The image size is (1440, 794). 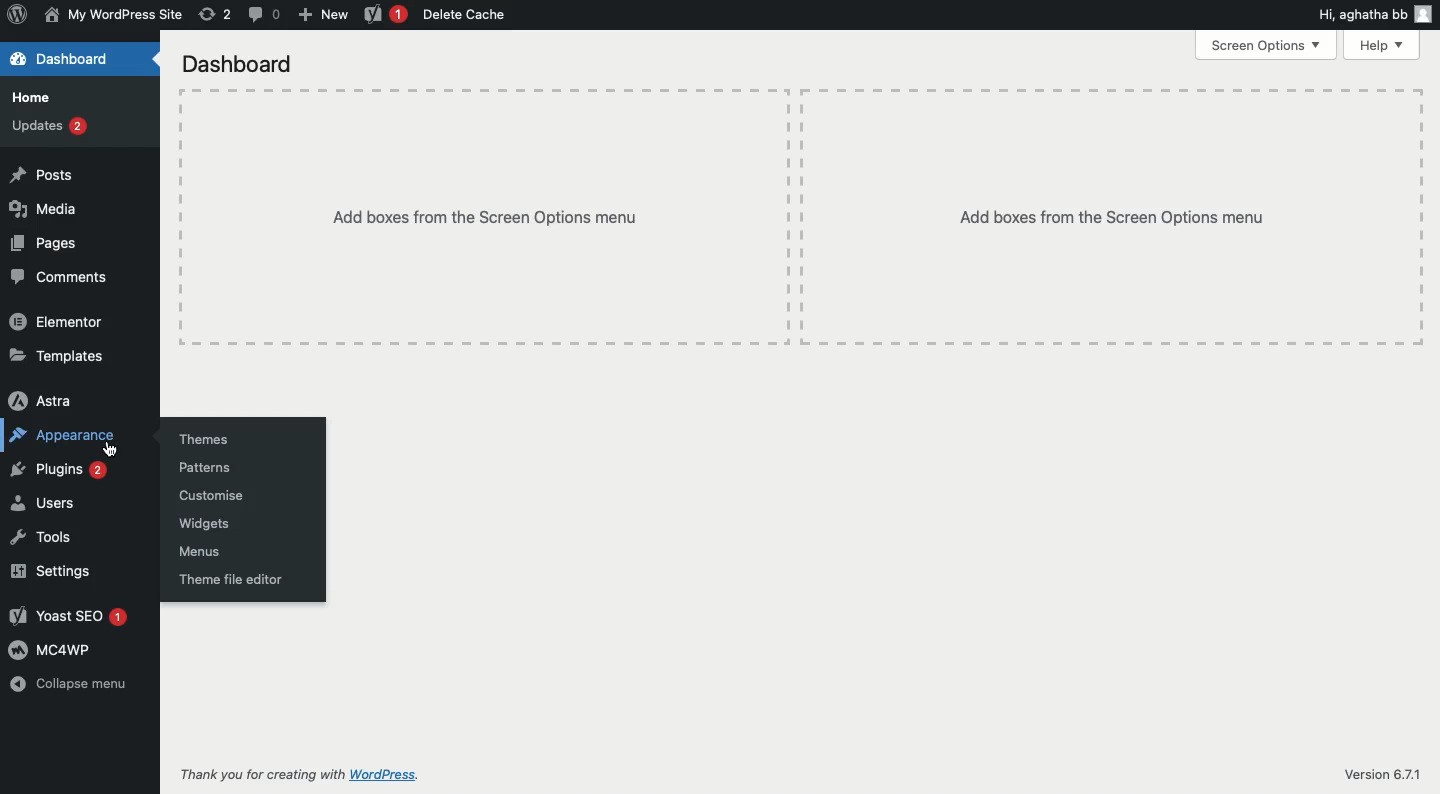 What do you see at coordinates (68, 683) in the screenshot?
I see `Collapse menu` at bounding box center [68, 683].